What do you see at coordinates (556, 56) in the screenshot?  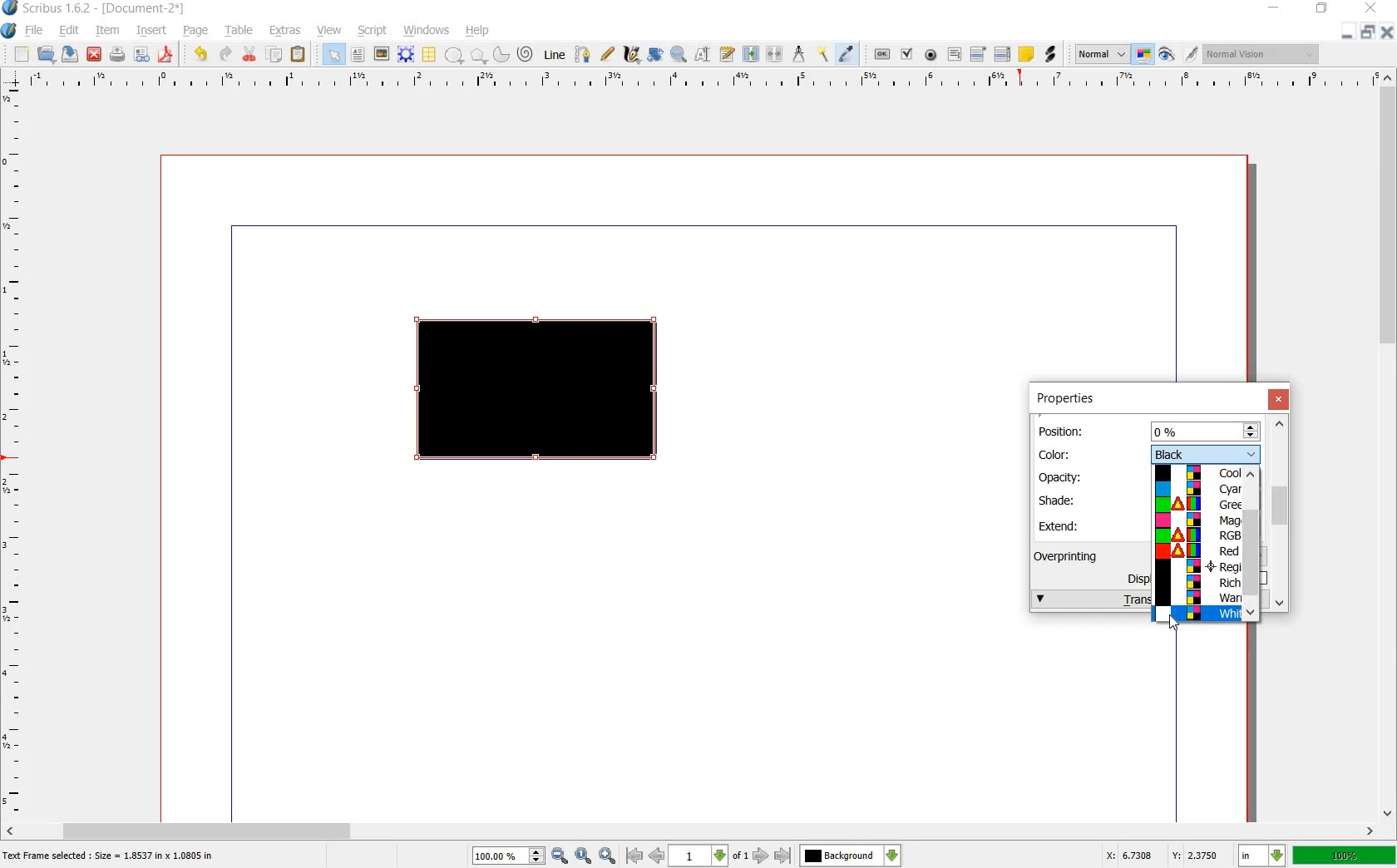 I see `line` at bounding box center [556, 56].